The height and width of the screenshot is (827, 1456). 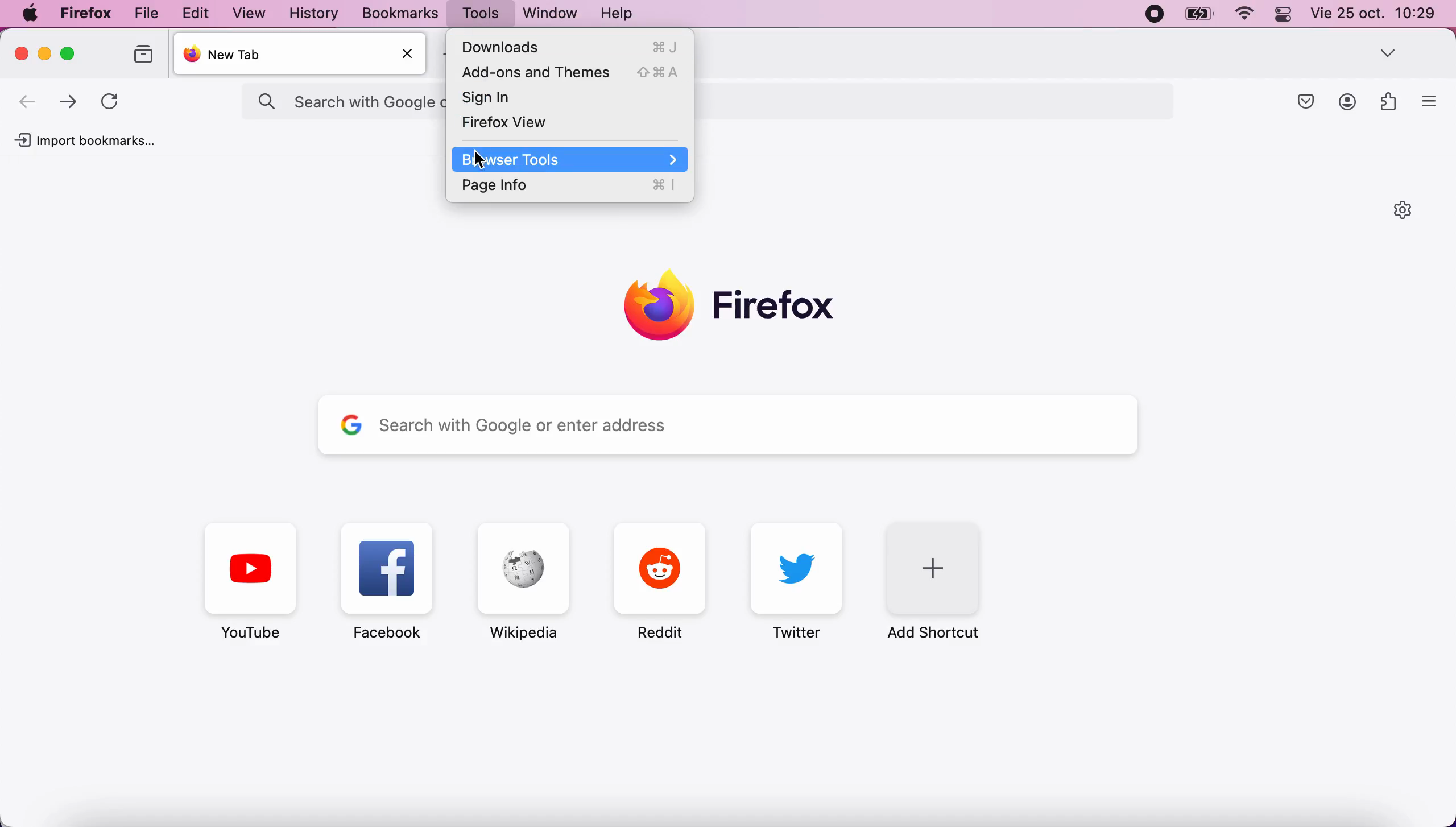 I want to click on Apple menu, so click(x=30, y=13).